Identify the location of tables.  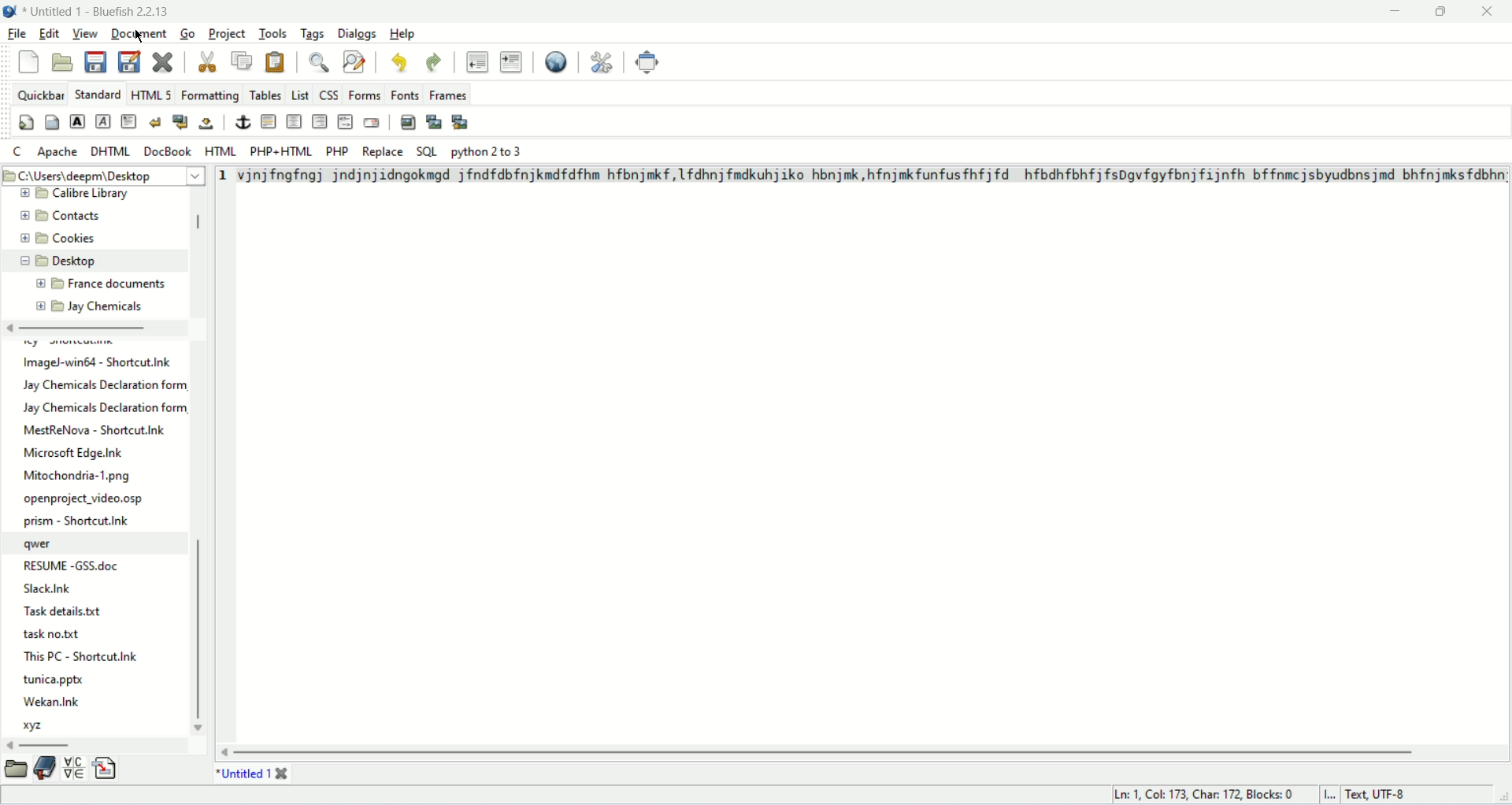
(265, 94).